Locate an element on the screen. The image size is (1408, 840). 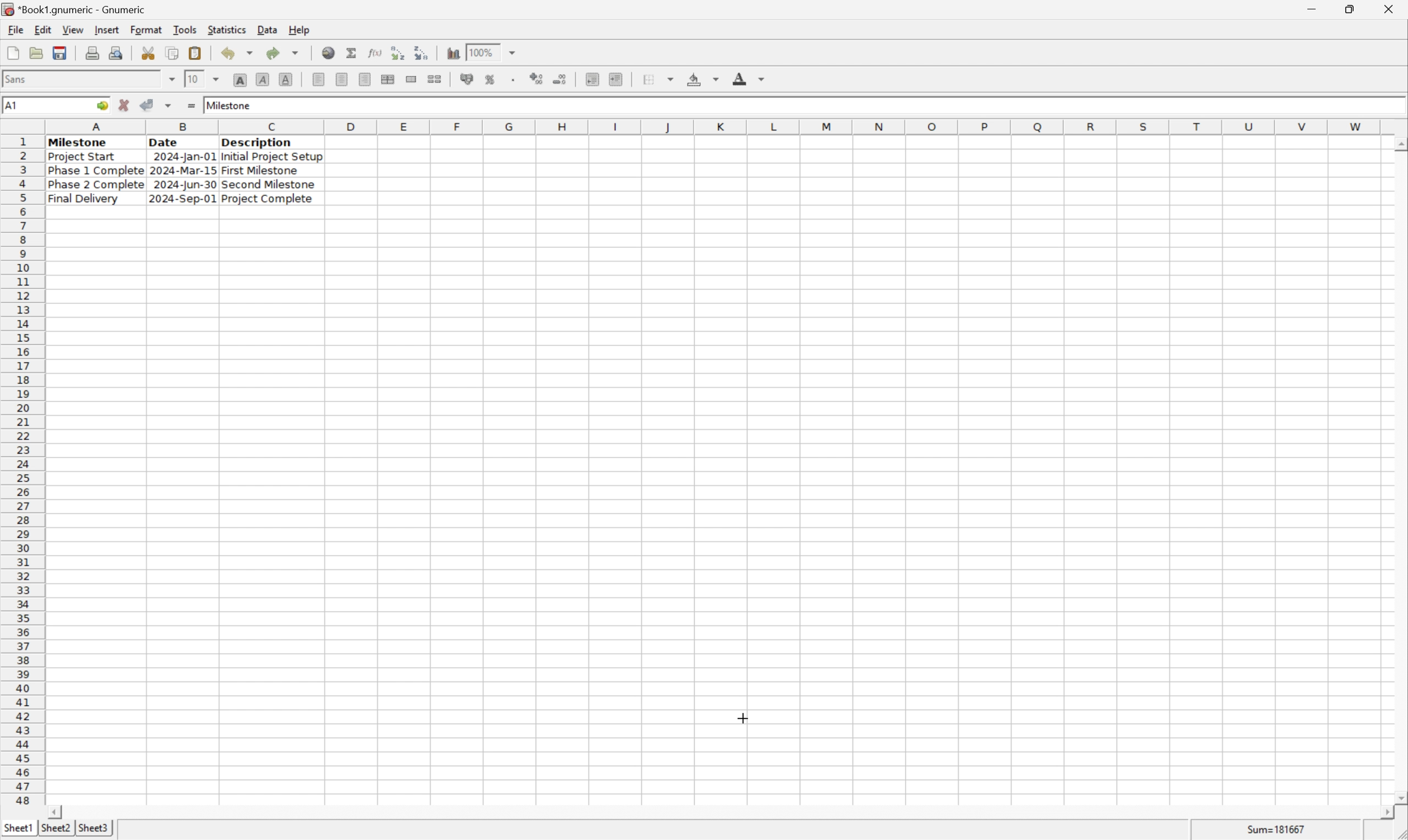
sheet3 is located at coordinates (93, 831).